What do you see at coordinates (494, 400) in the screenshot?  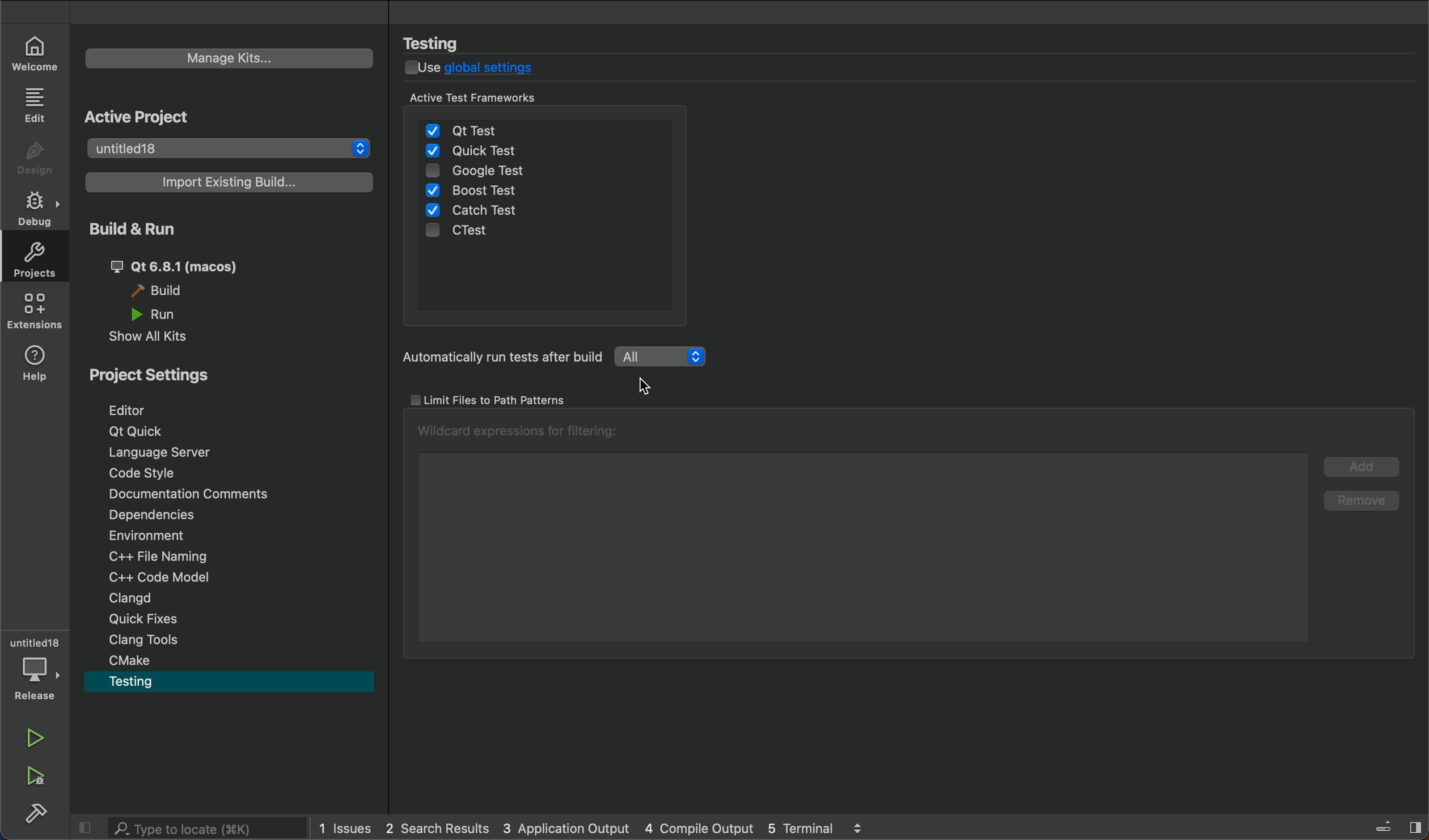 I see `path patterns` at bounding box center [494, 400].